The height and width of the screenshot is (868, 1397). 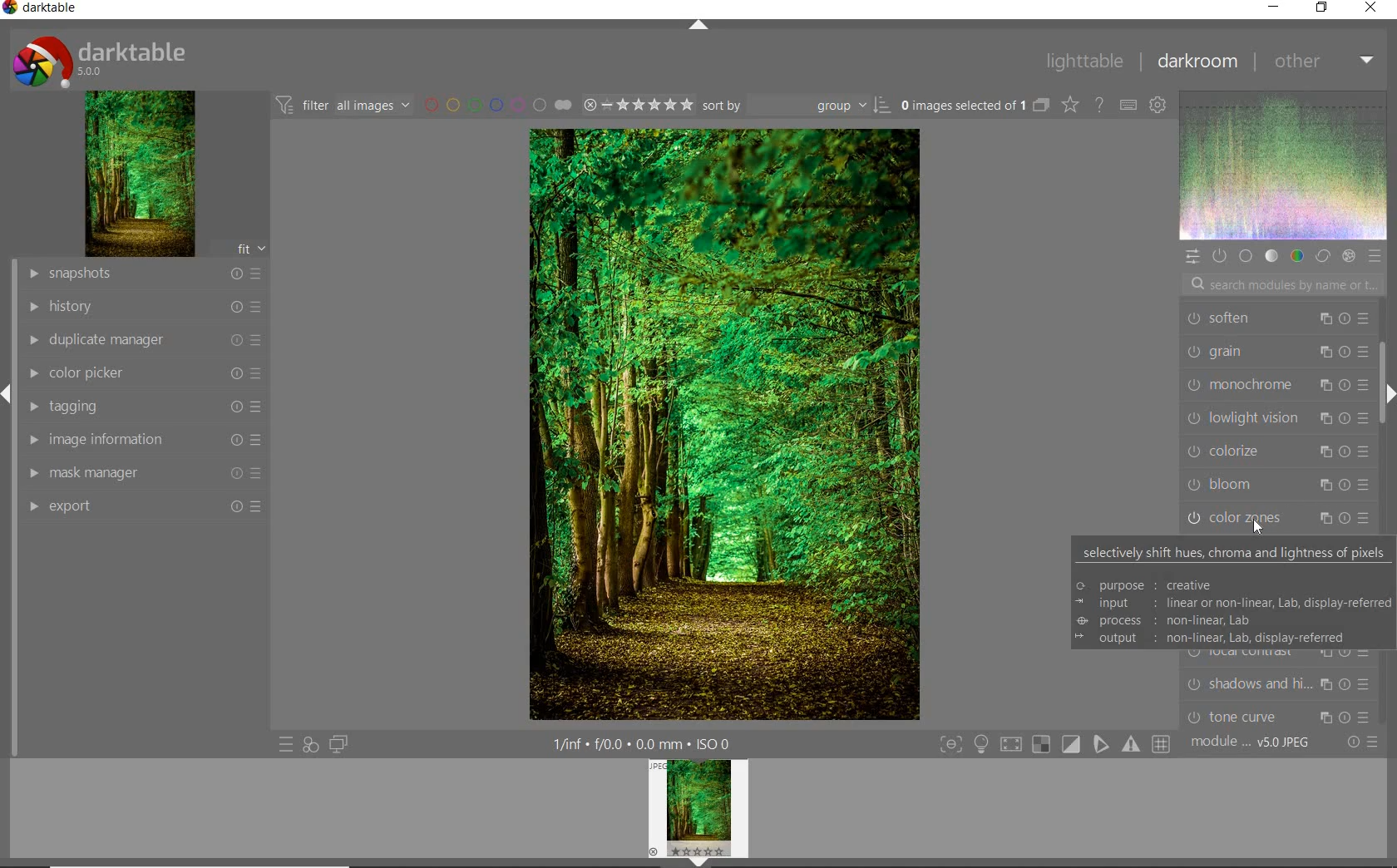 I want to click on EXPAND/COLLAPSE, so click(x=1389, y=396).